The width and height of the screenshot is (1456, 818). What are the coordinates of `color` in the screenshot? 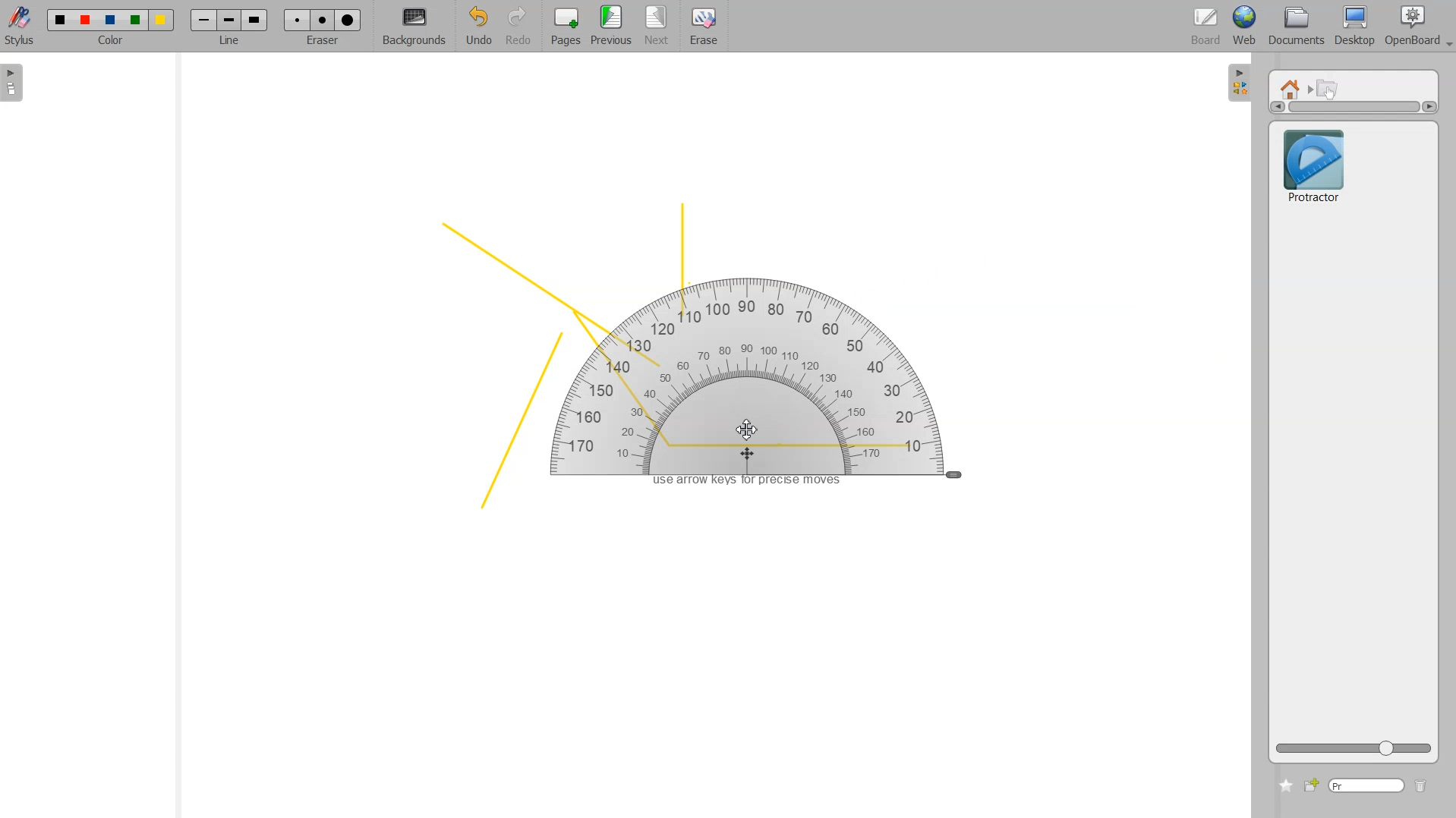 It's located at (112, 42).